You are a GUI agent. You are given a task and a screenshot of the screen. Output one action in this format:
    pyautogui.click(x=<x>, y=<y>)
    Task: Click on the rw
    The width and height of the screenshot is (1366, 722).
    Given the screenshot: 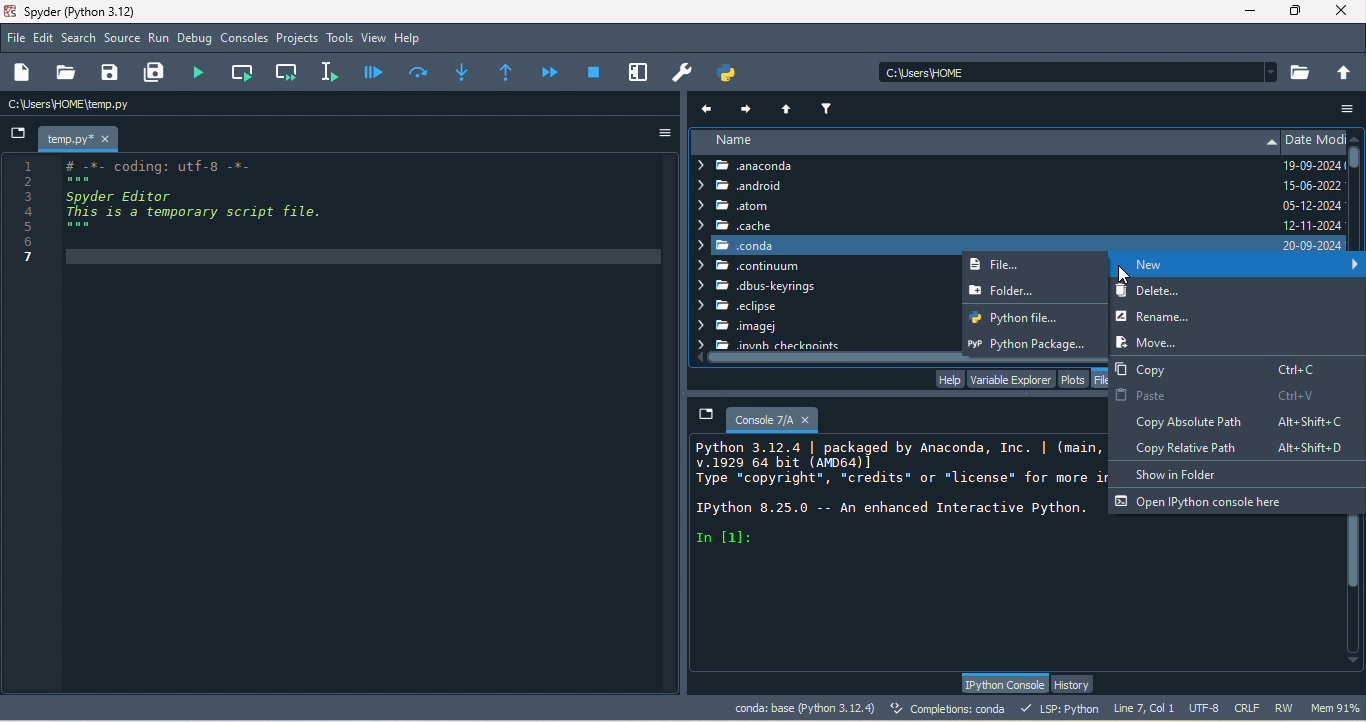 What is the action you would take?
    pyautogui.click(x=1286, y=708)
    